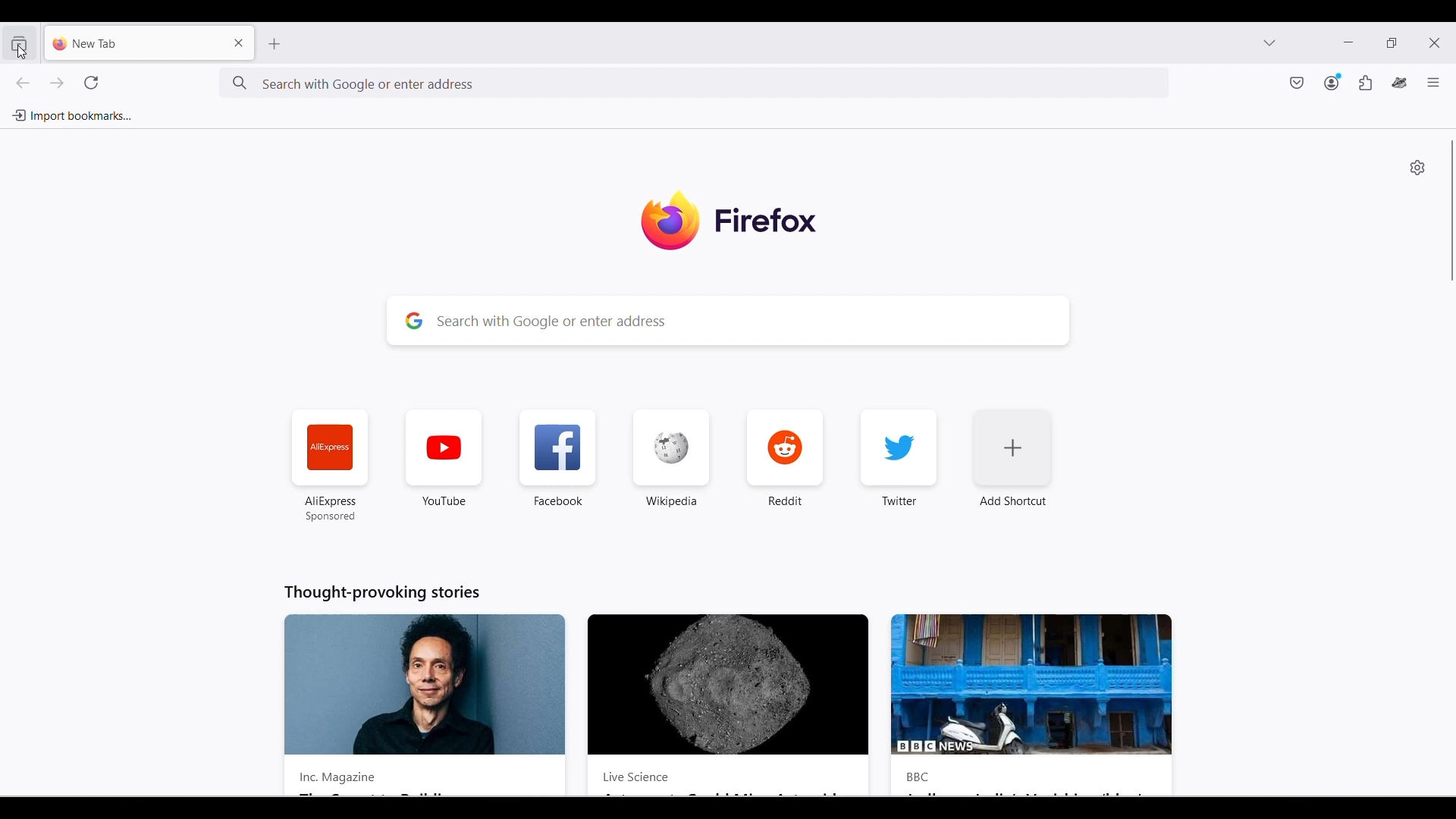 The height and width of the screenshot is (819, 1456). Describe the element at coordinates (1333, 82) in the screenshot. I see `Account` at that location.